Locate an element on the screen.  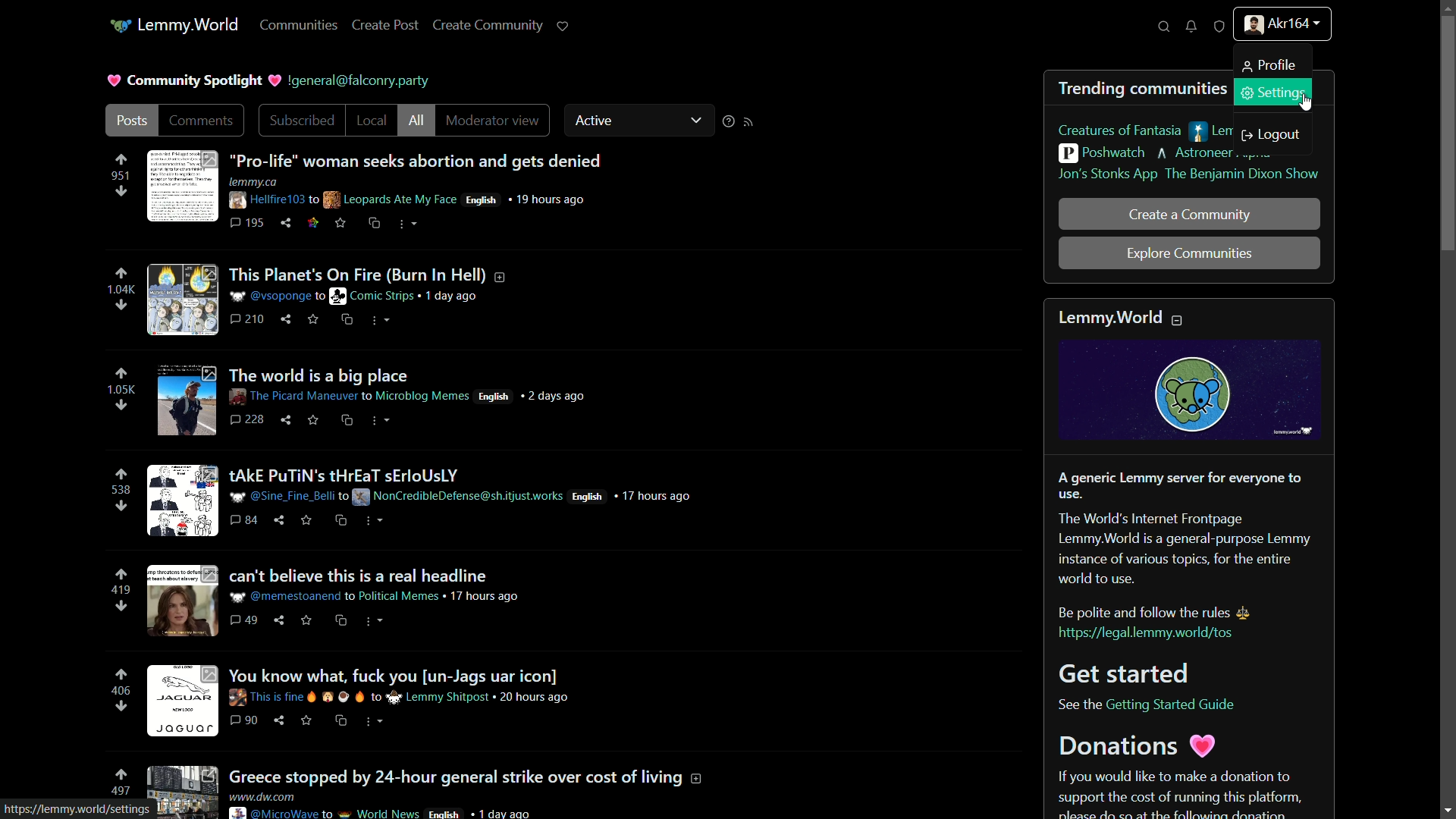
create post is located at coordinates (384, 24).